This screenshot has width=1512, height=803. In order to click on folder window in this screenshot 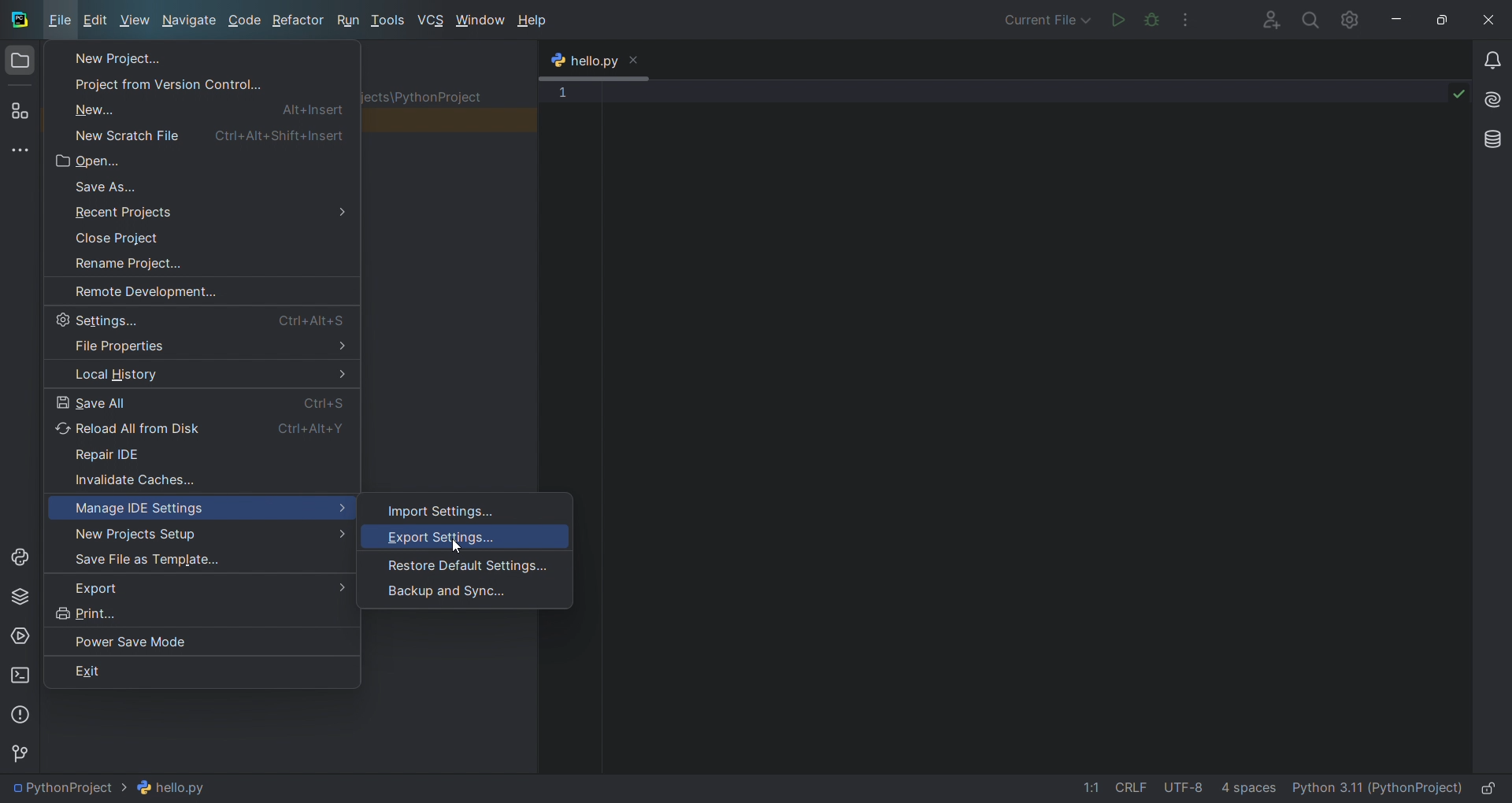, I will do `click(20, 65)`.